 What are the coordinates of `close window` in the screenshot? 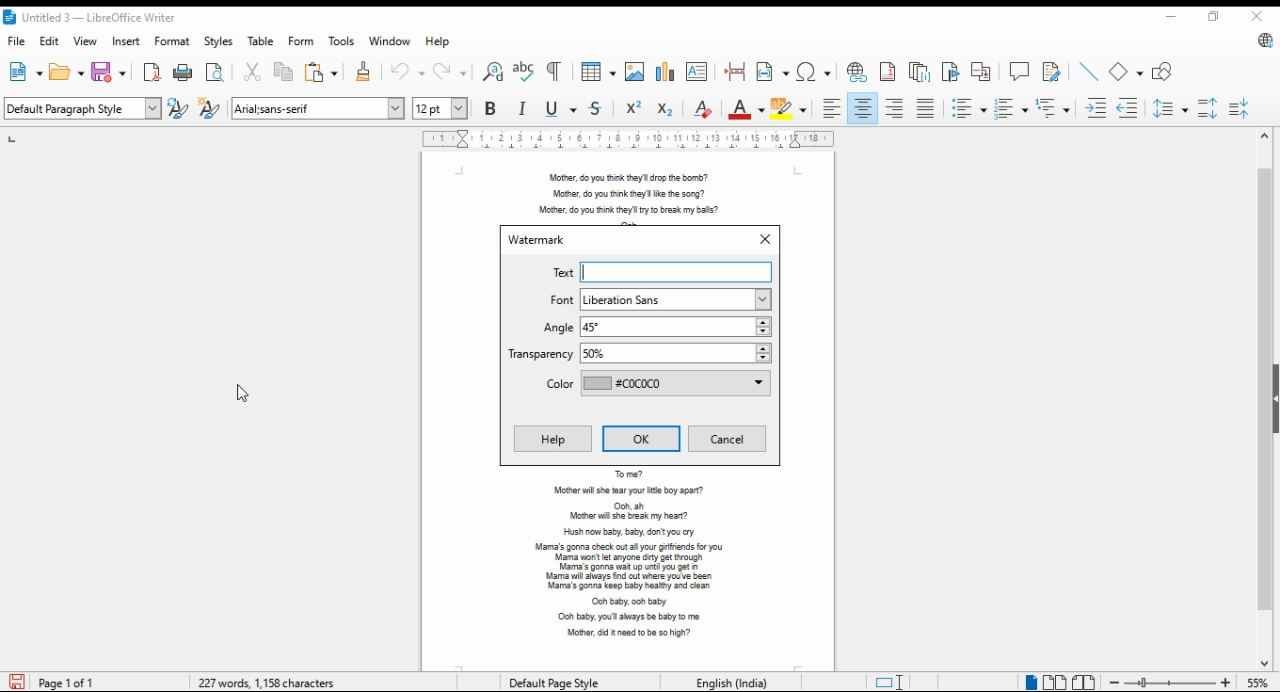 It's located at (760, 238).